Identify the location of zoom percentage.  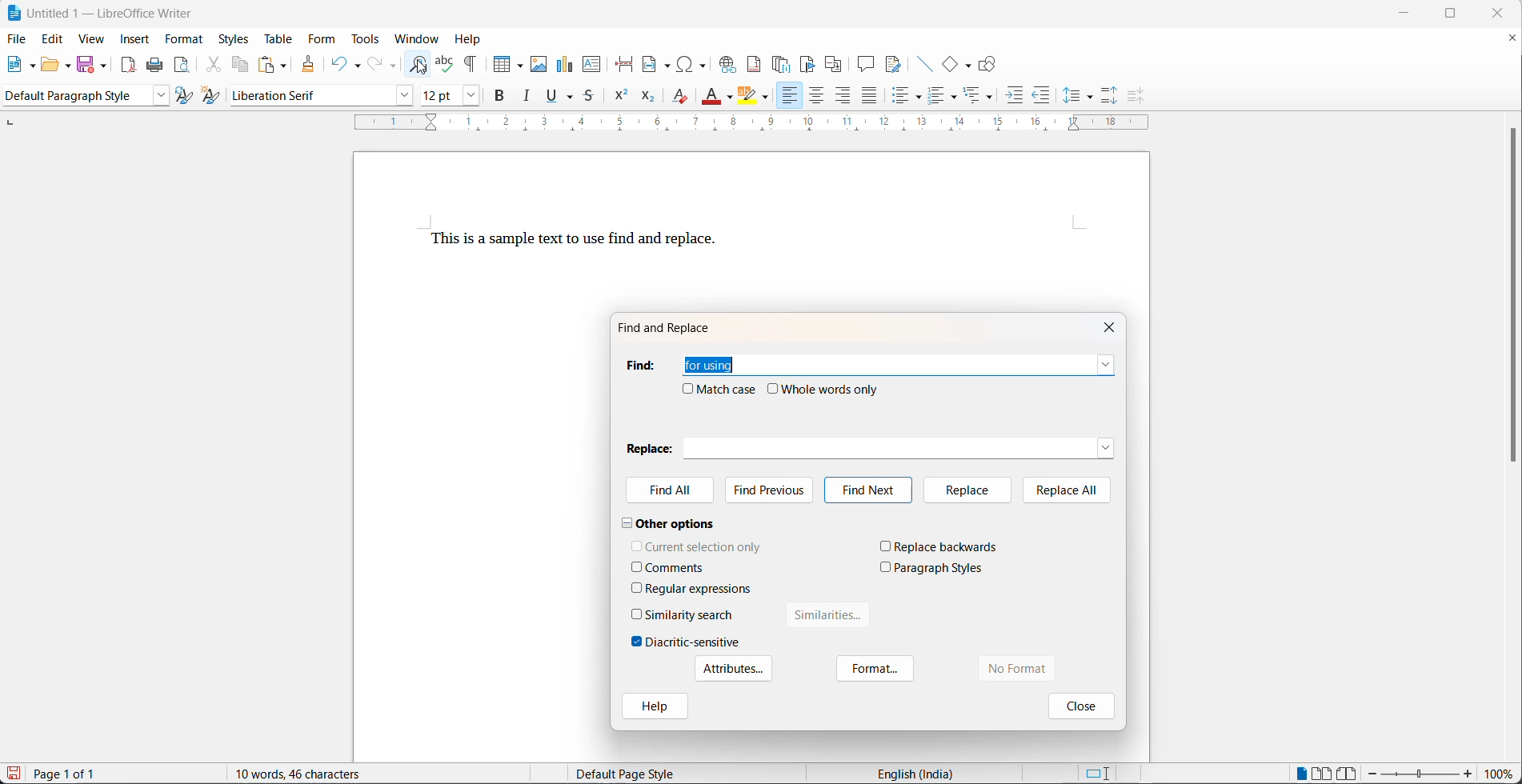
(1502, 774).